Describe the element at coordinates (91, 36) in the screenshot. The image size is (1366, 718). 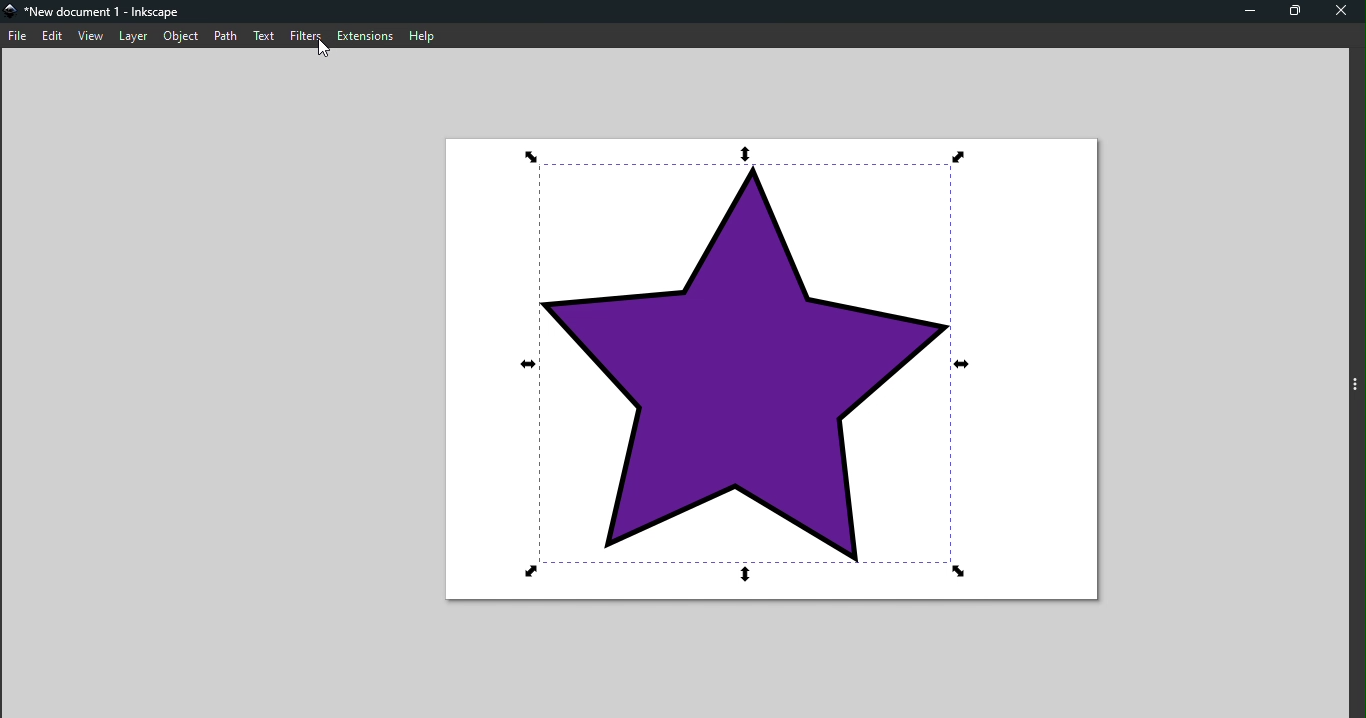
I see `view` at that location.